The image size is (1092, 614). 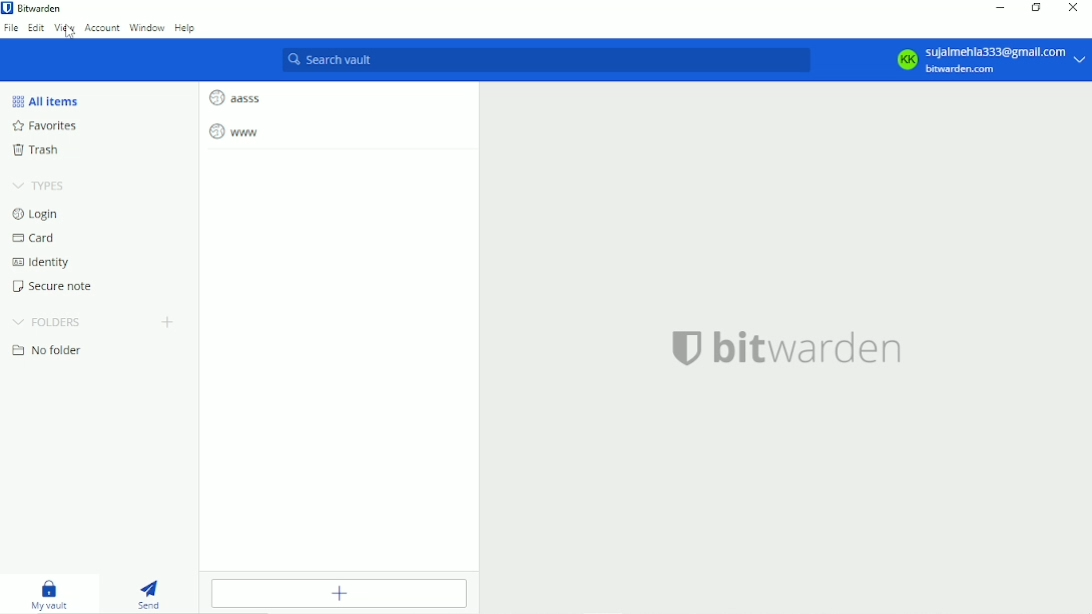 What do you see at coordinates (35, 30) in the screenshot?
I see `Edit` at bounding box center [35, 30].